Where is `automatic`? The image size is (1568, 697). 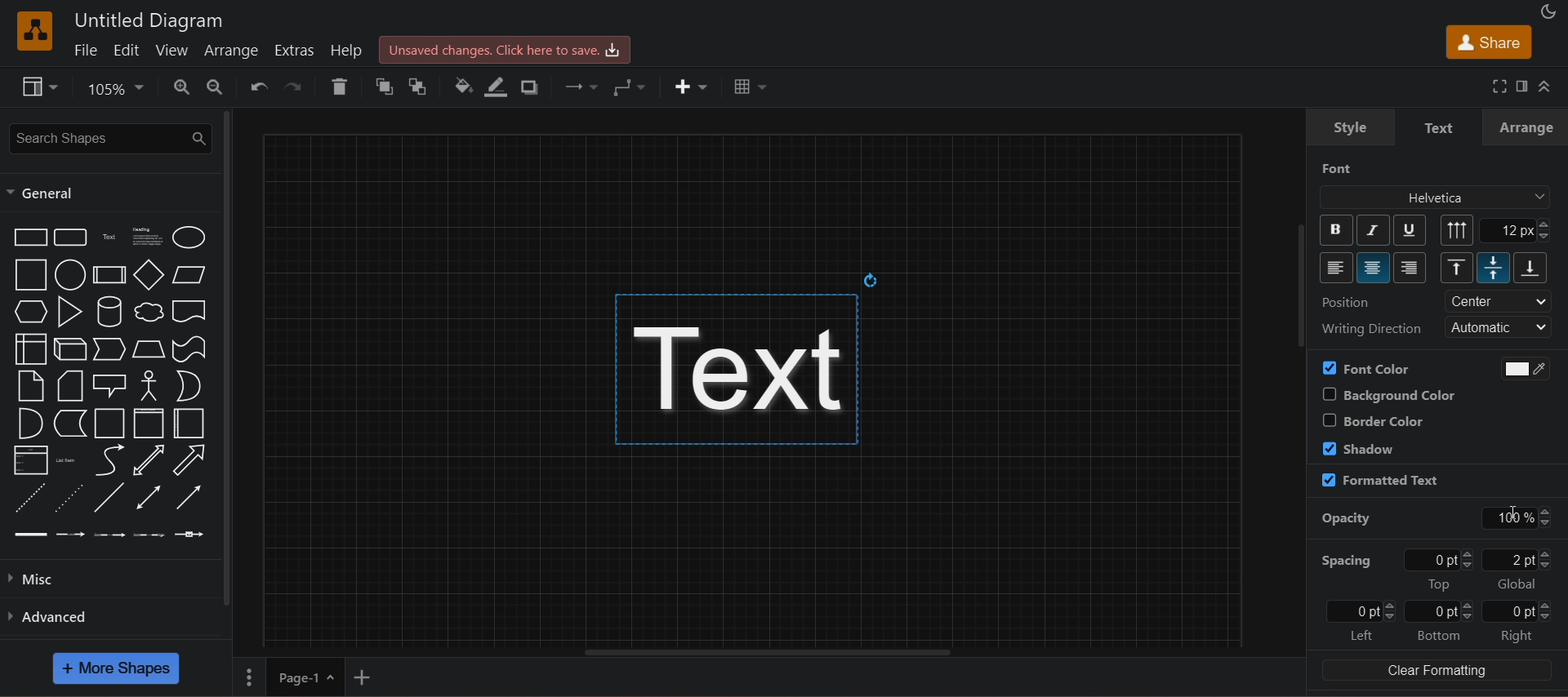 automatic is located at coordinates (1501, 327).